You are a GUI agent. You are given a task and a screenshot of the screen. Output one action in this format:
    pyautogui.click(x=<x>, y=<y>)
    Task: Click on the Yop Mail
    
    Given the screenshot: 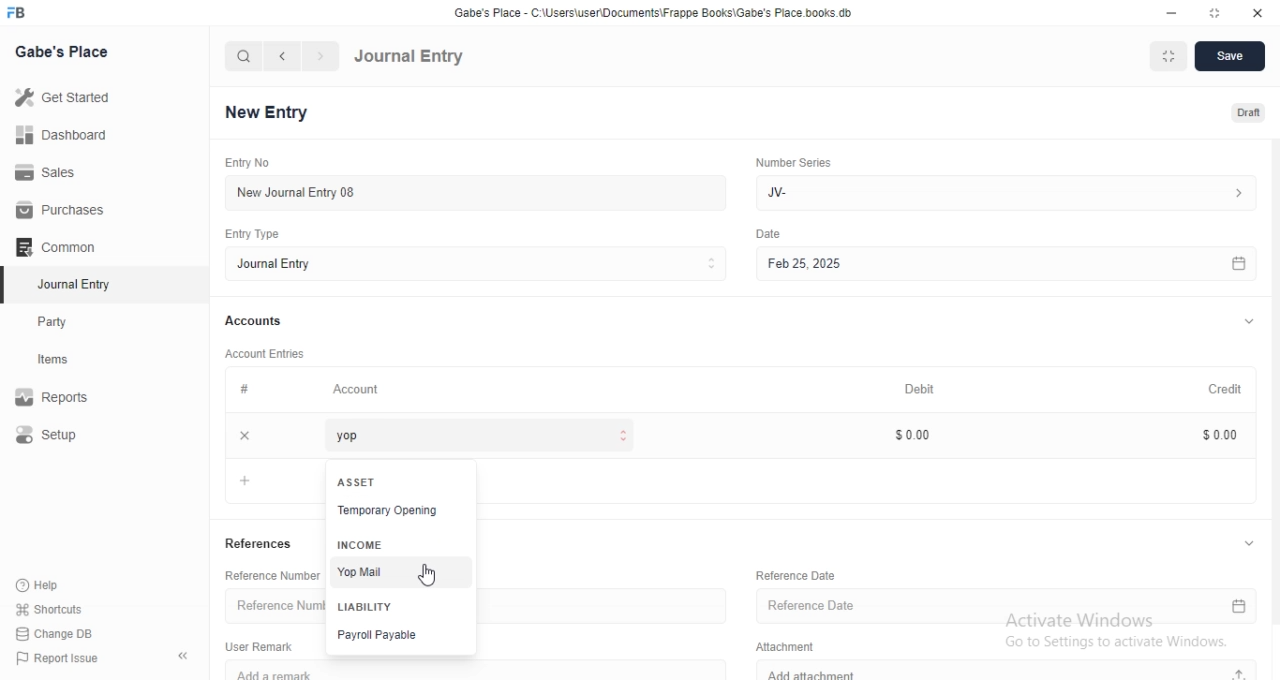 What is the action you would take?
    pyautogui.click(x=398, y=570)
    